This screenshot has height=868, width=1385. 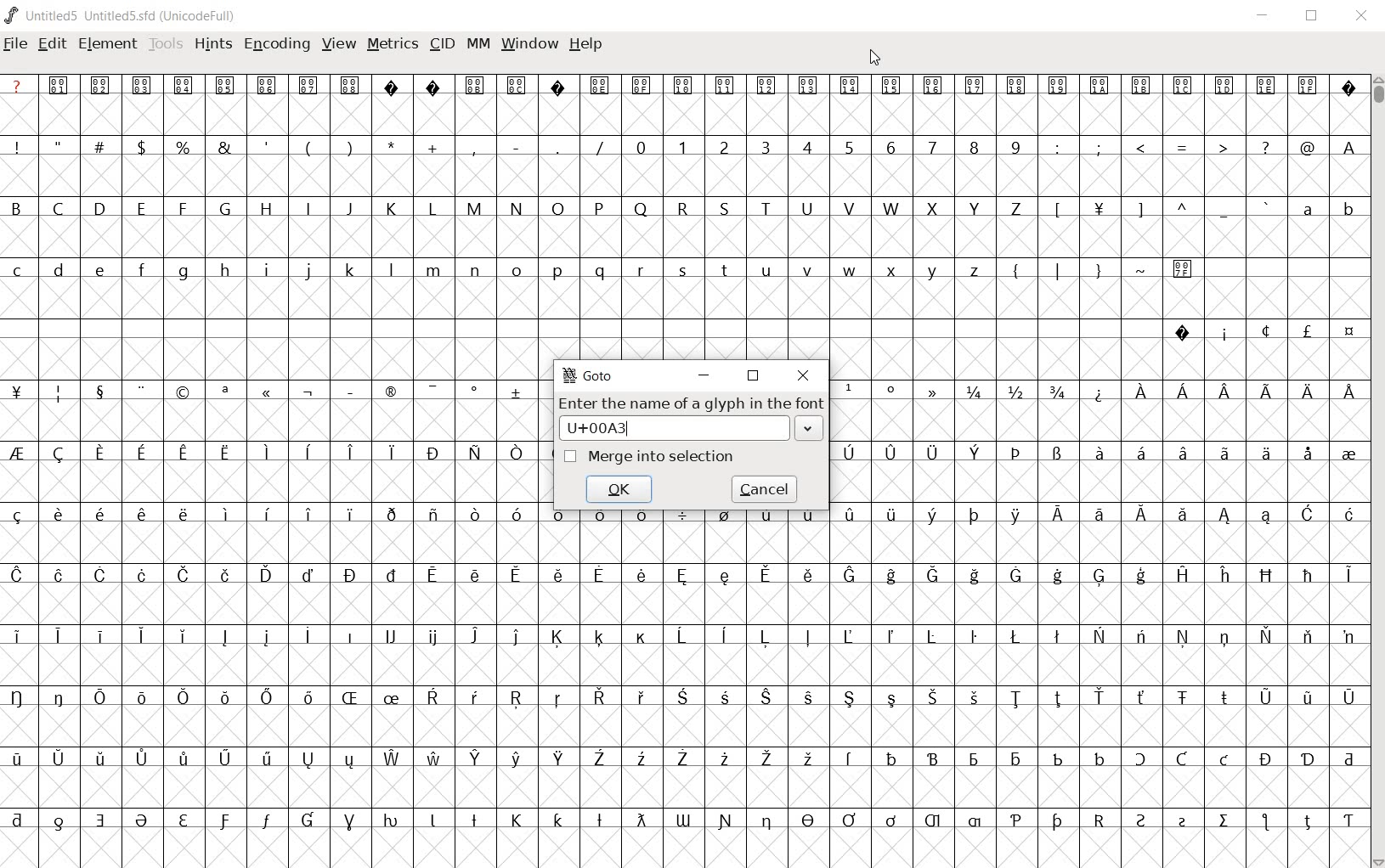 What do you see at coordinates (562, 519) in the screenshot?
I see `Symbol` at bounding box center [562, 519].